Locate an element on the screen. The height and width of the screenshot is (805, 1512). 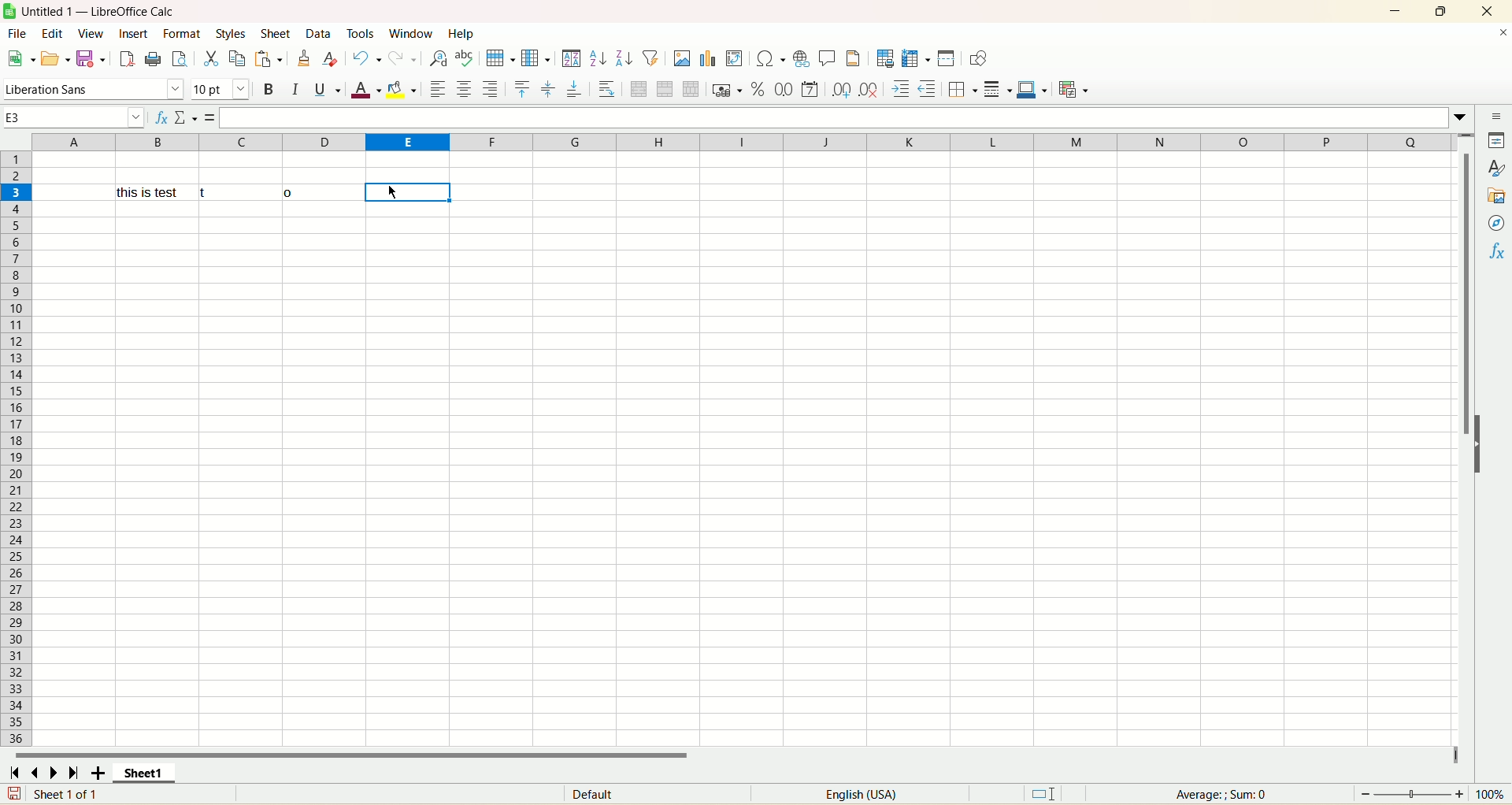
remove formatting is located at coordinates (330, 57).